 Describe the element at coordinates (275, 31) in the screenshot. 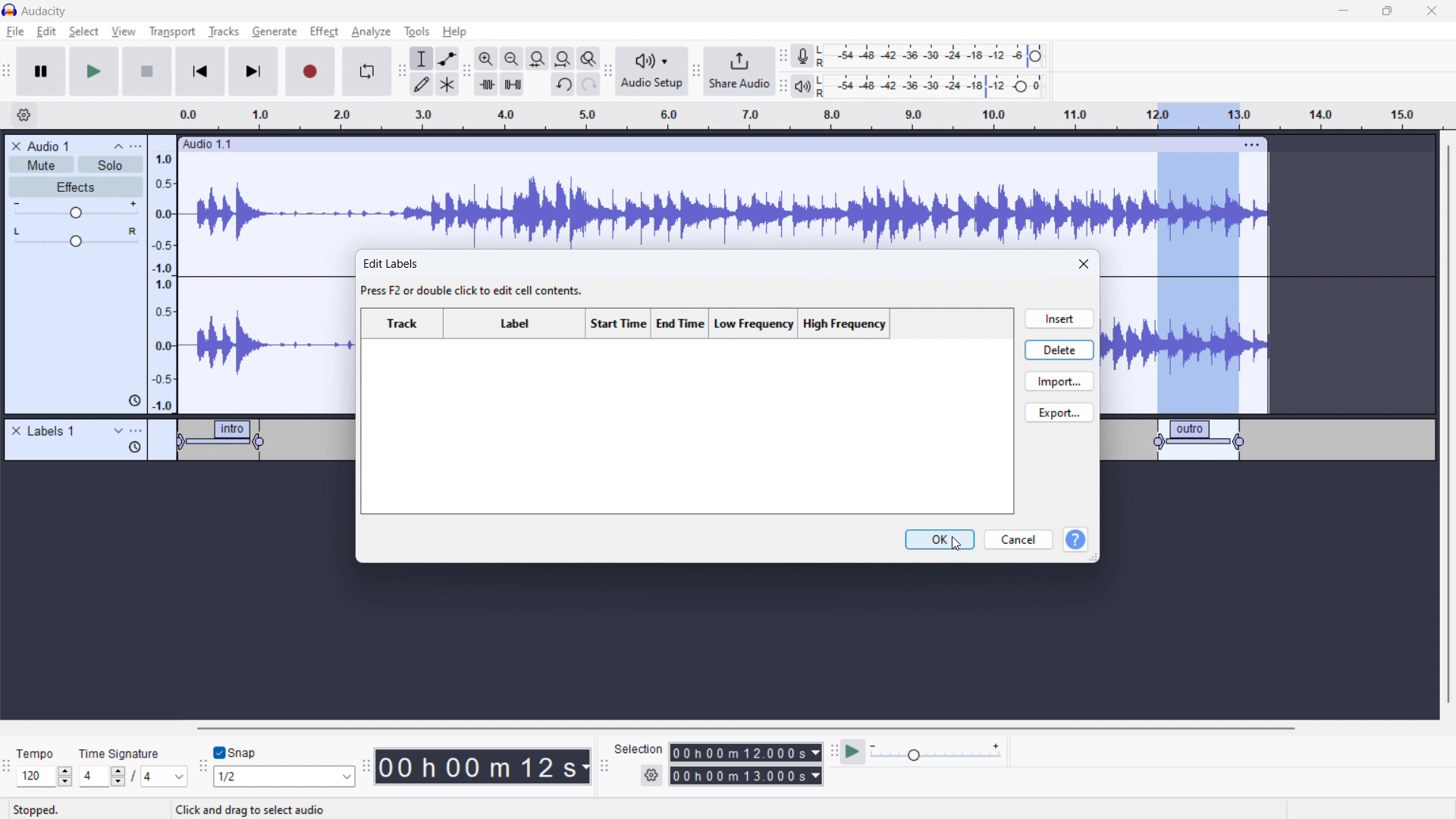

I see `generate` at that location.